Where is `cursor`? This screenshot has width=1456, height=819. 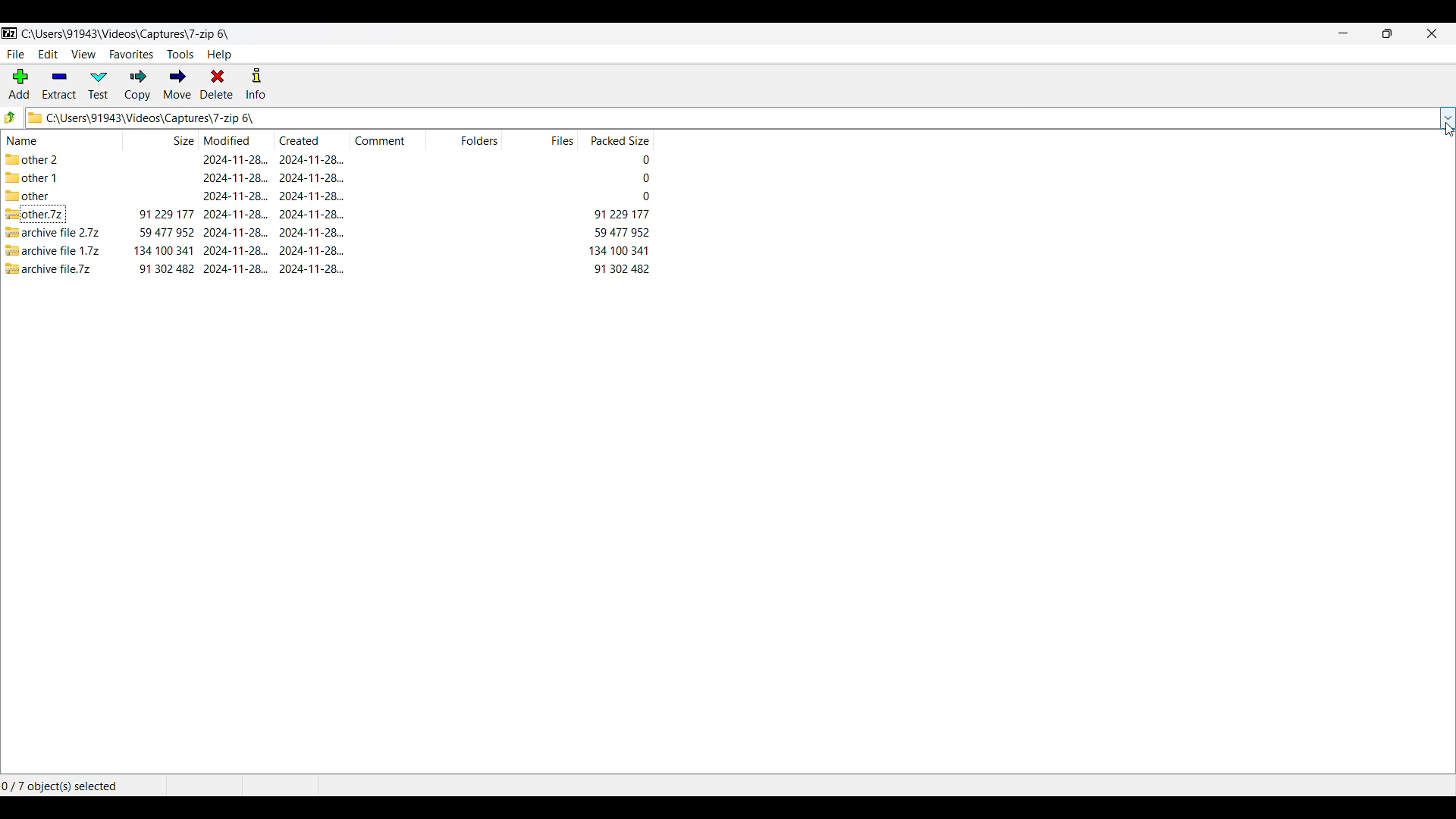
cursor is located at coordinates (1447, 129).